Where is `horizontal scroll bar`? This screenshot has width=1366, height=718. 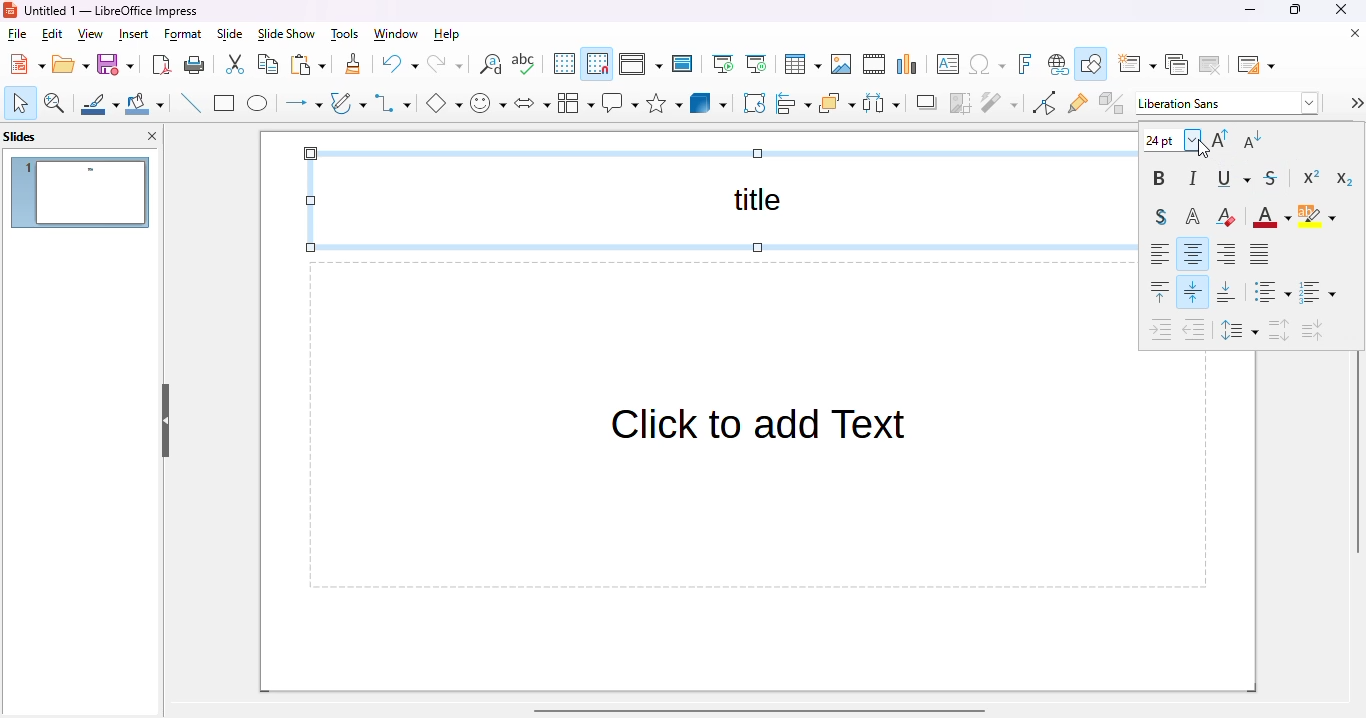 horizontal scroll bar is located at coordinates (762, 710).